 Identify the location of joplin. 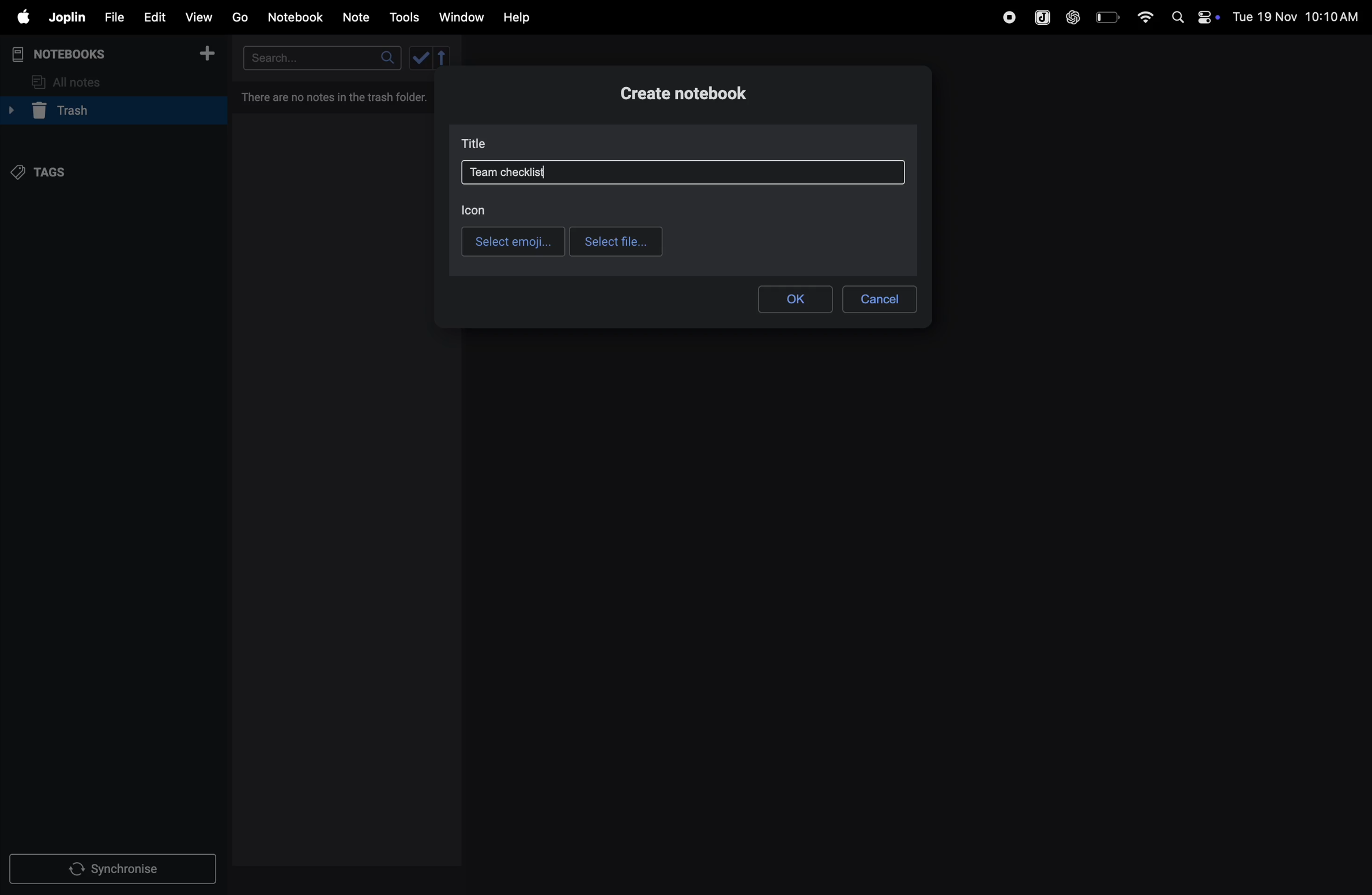
(1039, 16).